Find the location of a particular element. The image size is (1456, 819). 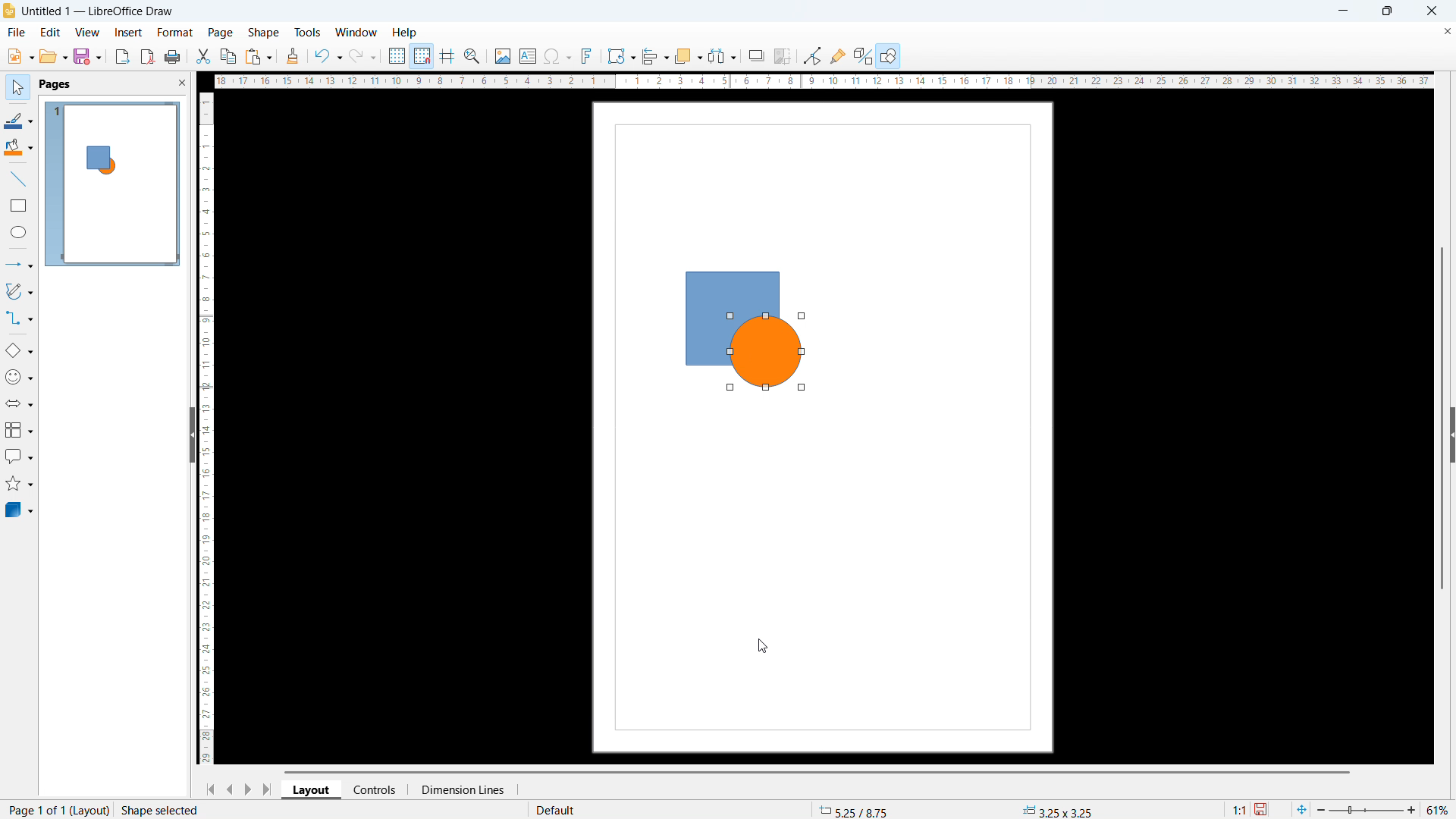

print is located at coordinates (172, 55).